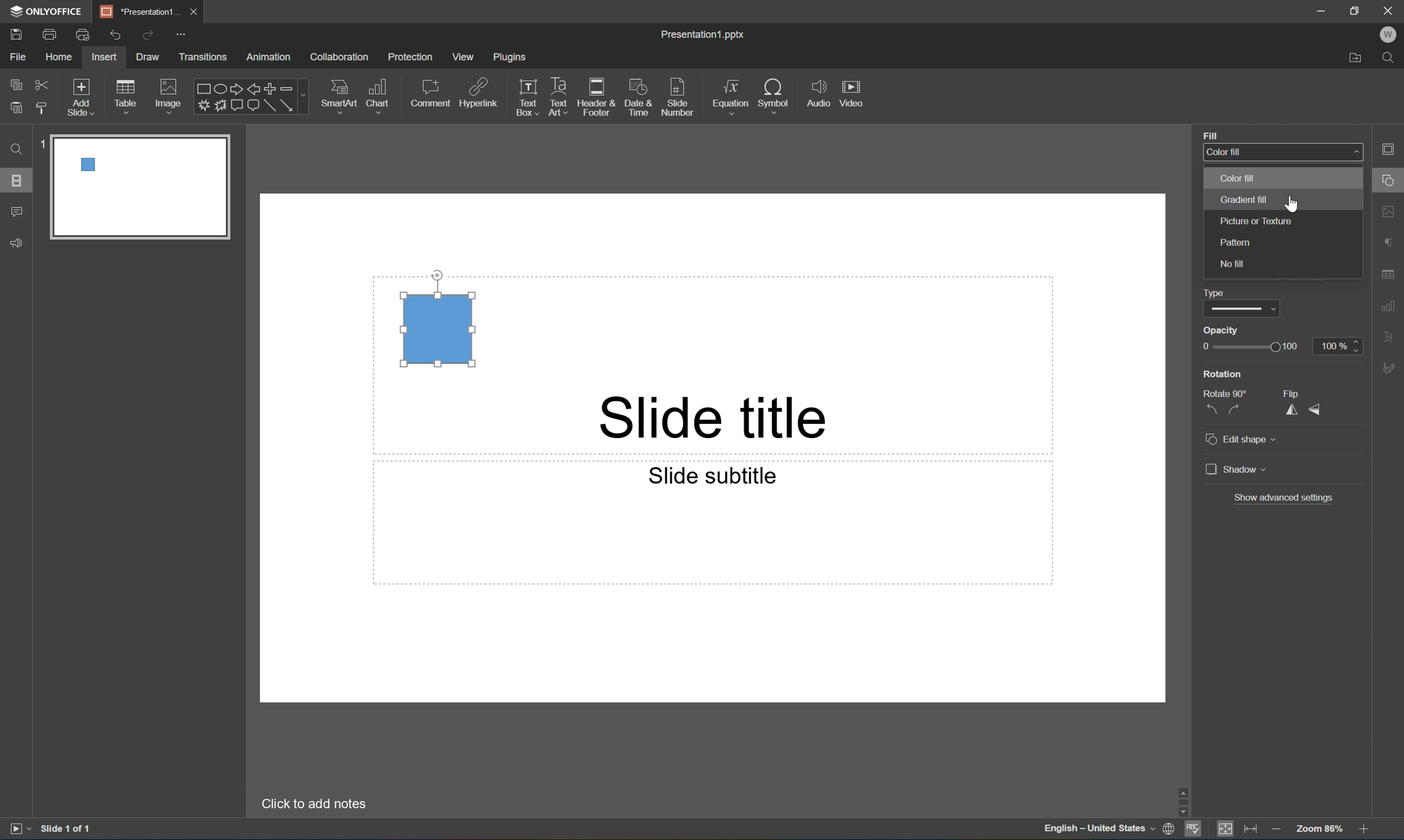 This screenshot has width=1404, height=840. Describe the element at coordinates (15, 33) in the screenshot. I see `Save` at that location.